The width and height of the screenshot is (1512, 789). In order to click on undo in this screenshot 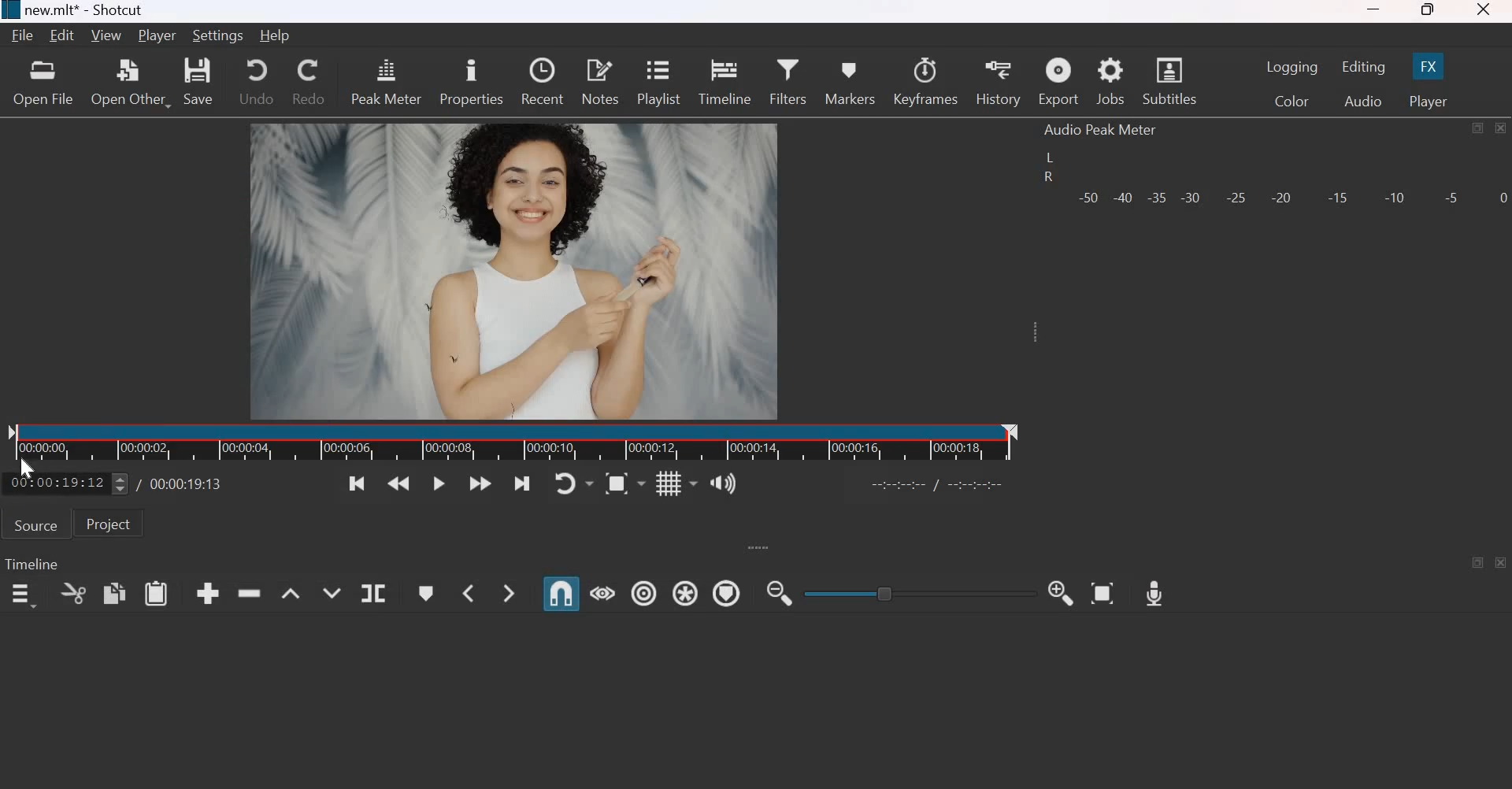, I will do `click(256, 80)`.